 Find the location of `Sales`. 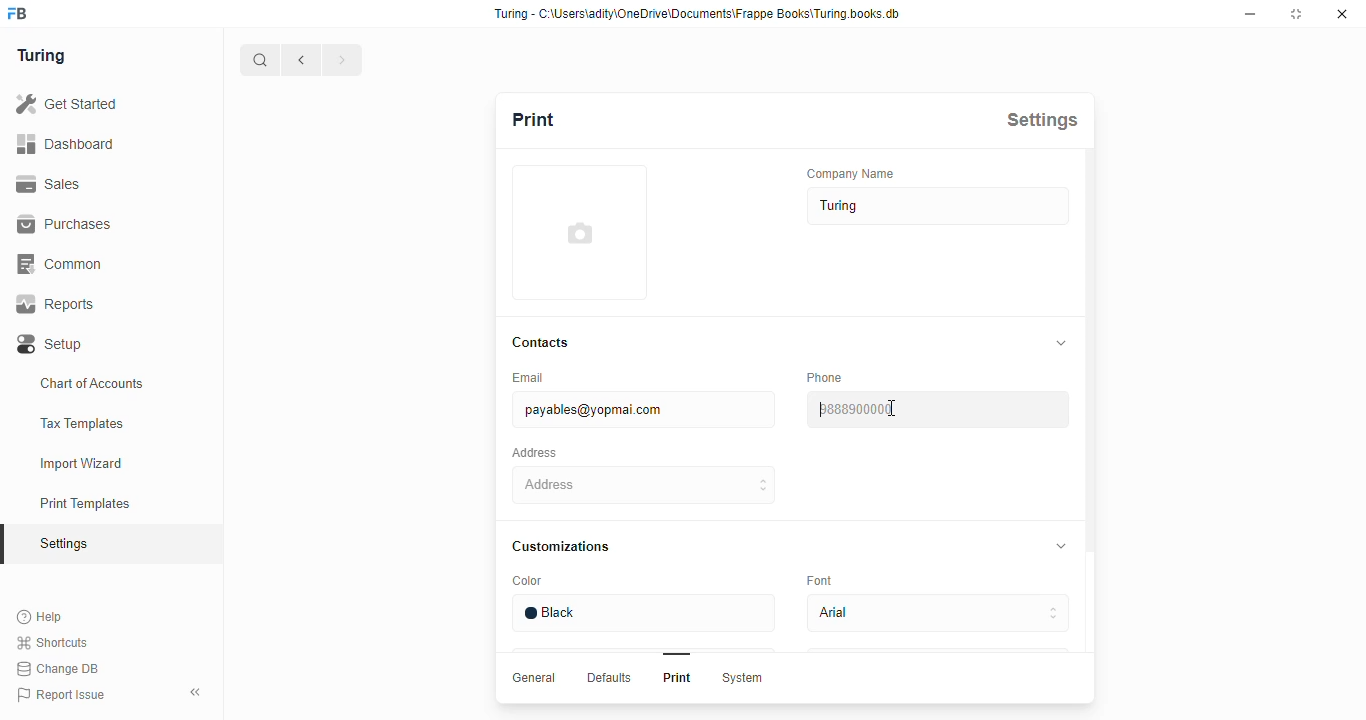

Sales is located at coordinates (98, 182).